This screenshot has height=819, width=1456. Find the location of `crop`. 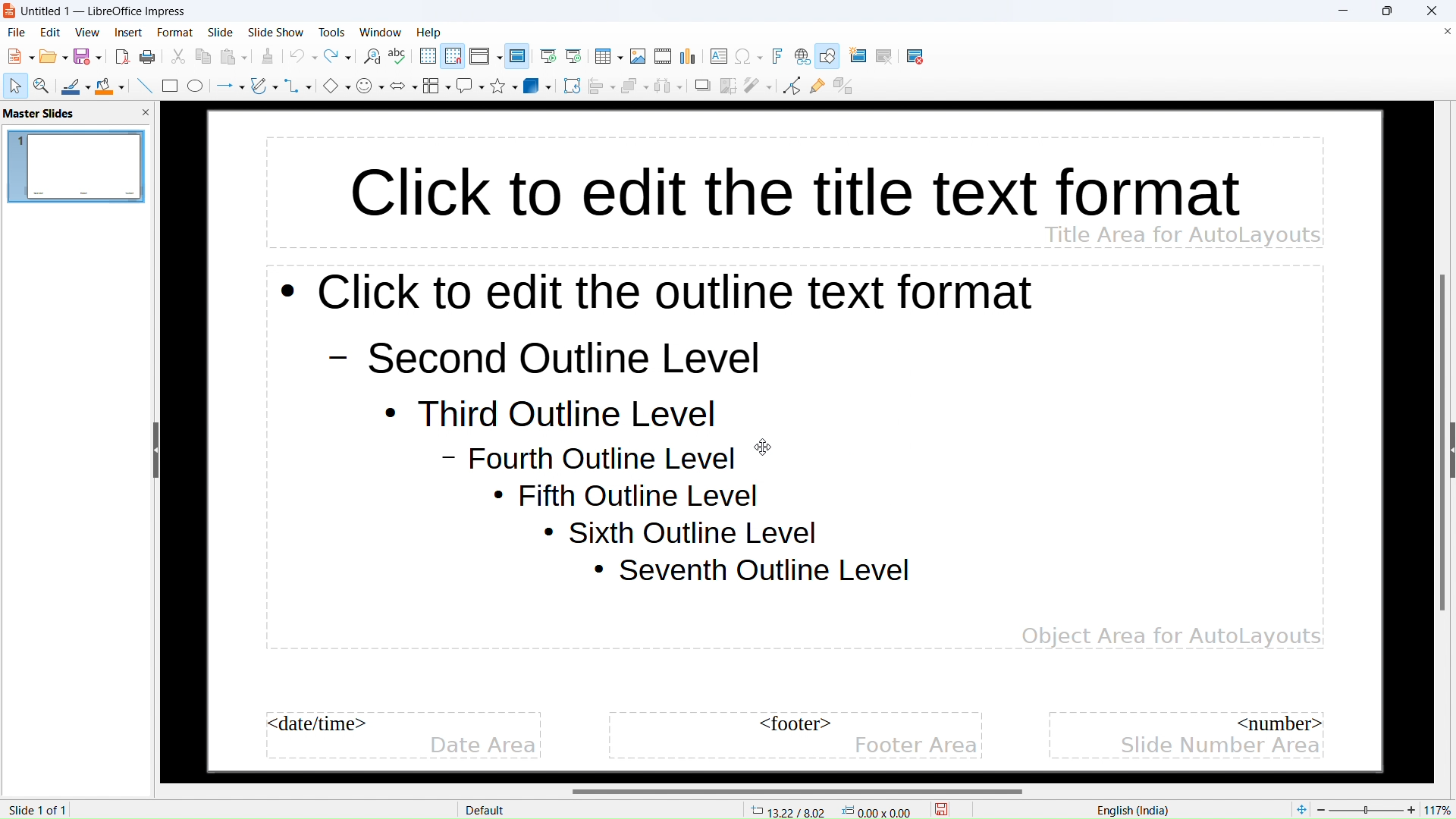

crop is located at coordinates (729, 86).